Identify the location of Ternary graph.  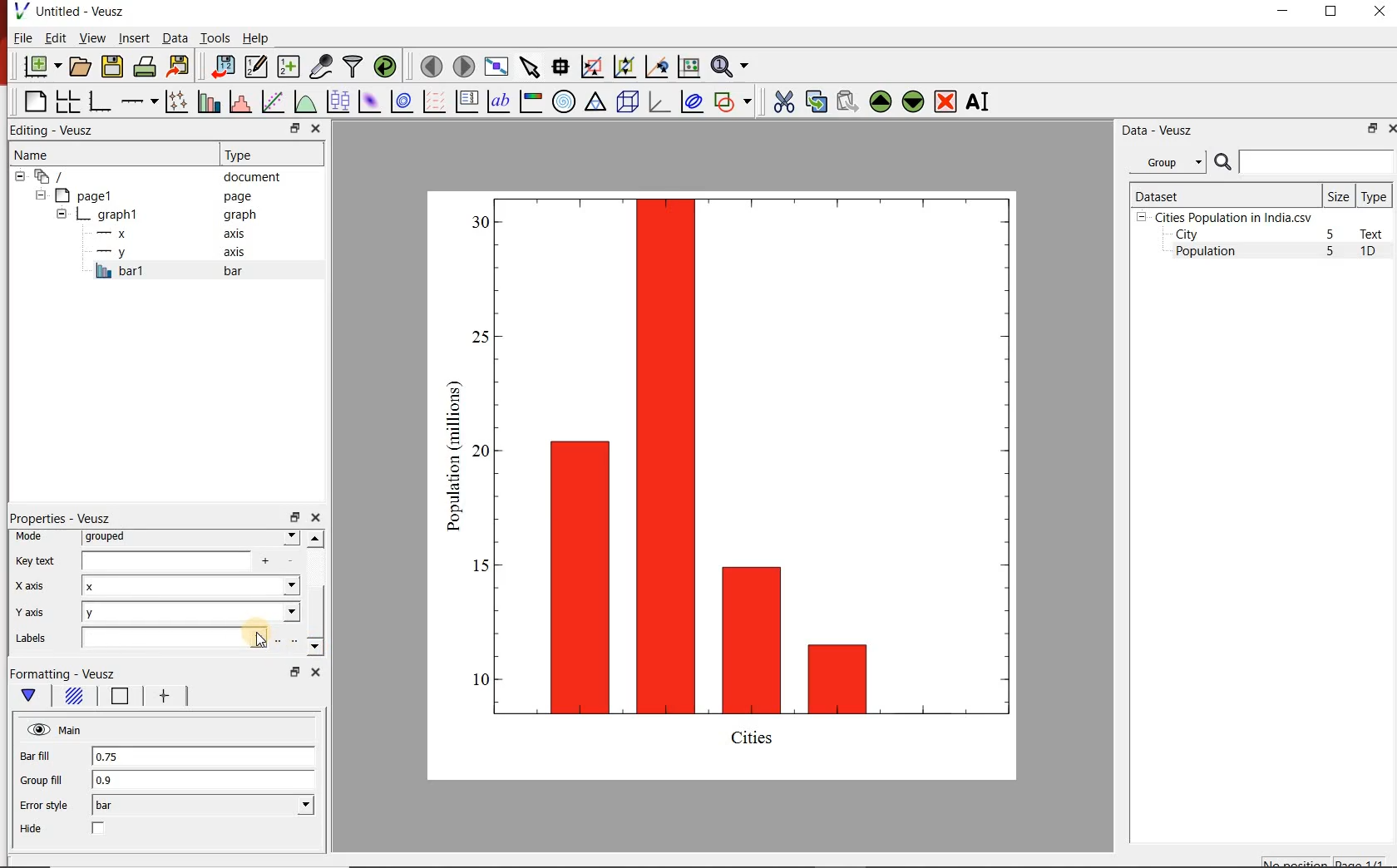
(595, 102).